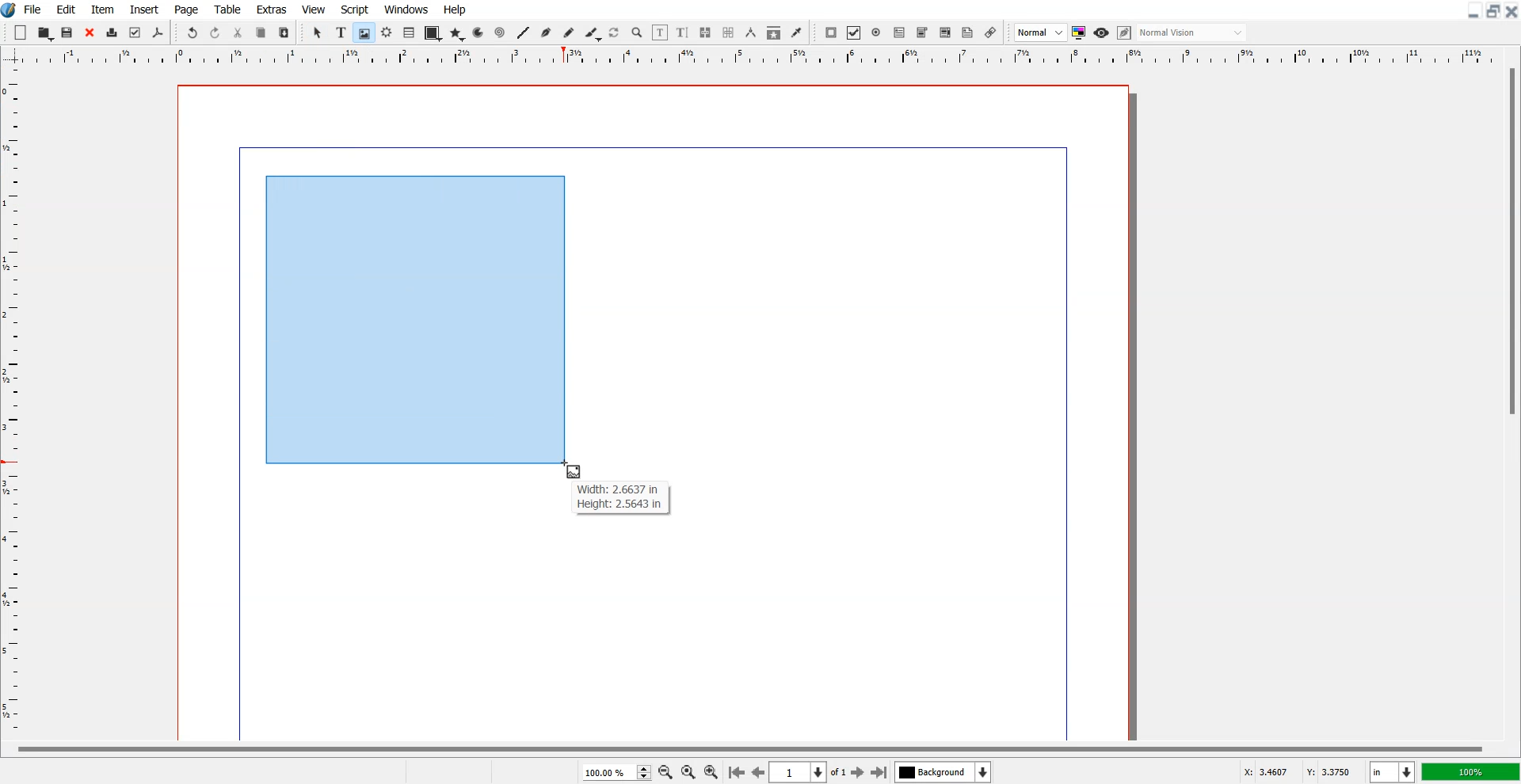  I want to click on Line, so click(524, 32).